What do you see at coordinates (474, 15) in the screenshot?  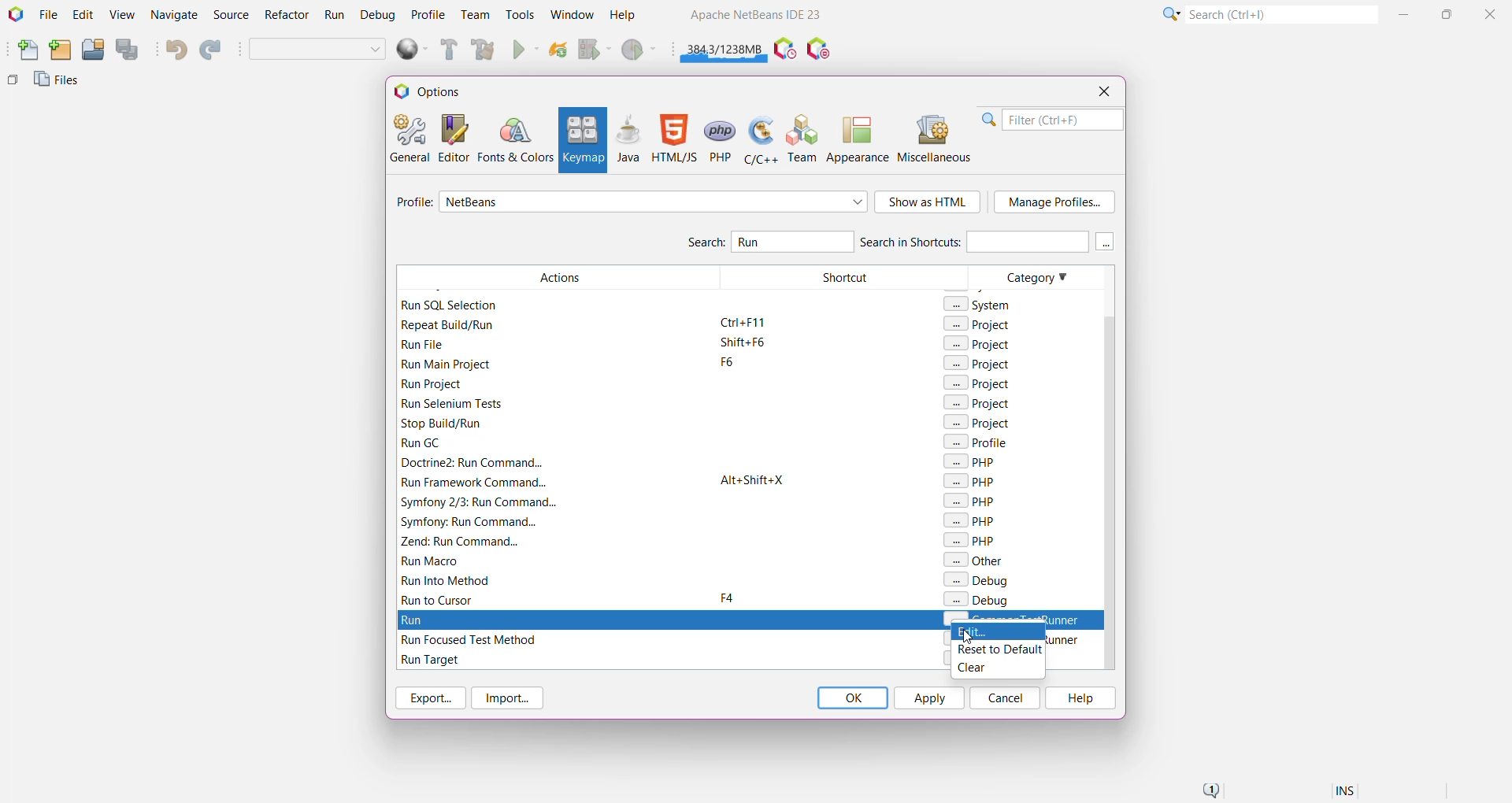 I see `Team` at bounding box center [474, 15].